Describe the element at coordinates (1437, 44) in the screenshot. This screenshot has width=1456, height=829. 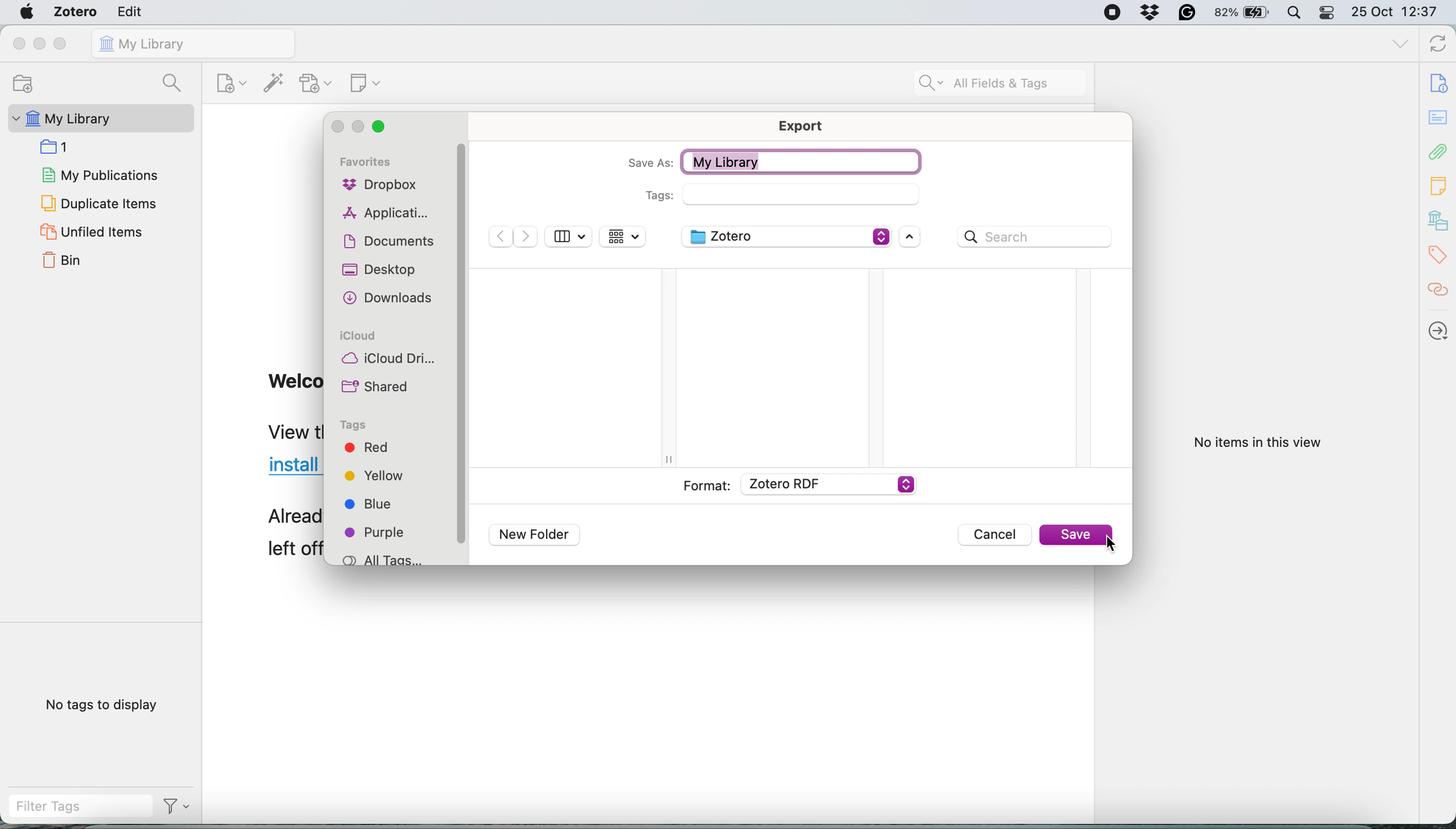
I see `sync with zotero.org` at that location.